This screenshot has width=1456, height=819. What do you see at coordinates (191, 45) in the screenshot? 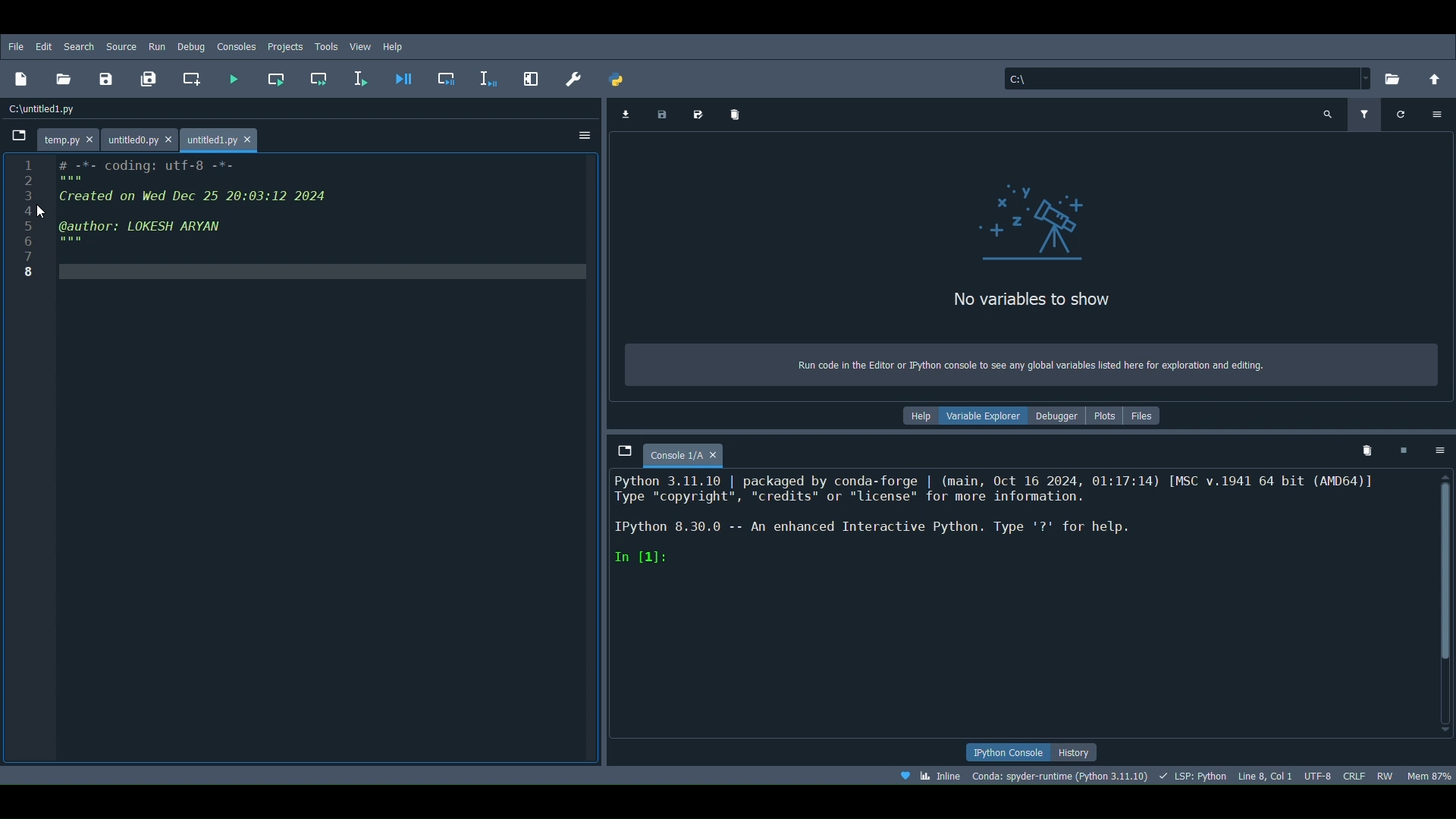
I see `Debug` at bounding box center [191, 45].